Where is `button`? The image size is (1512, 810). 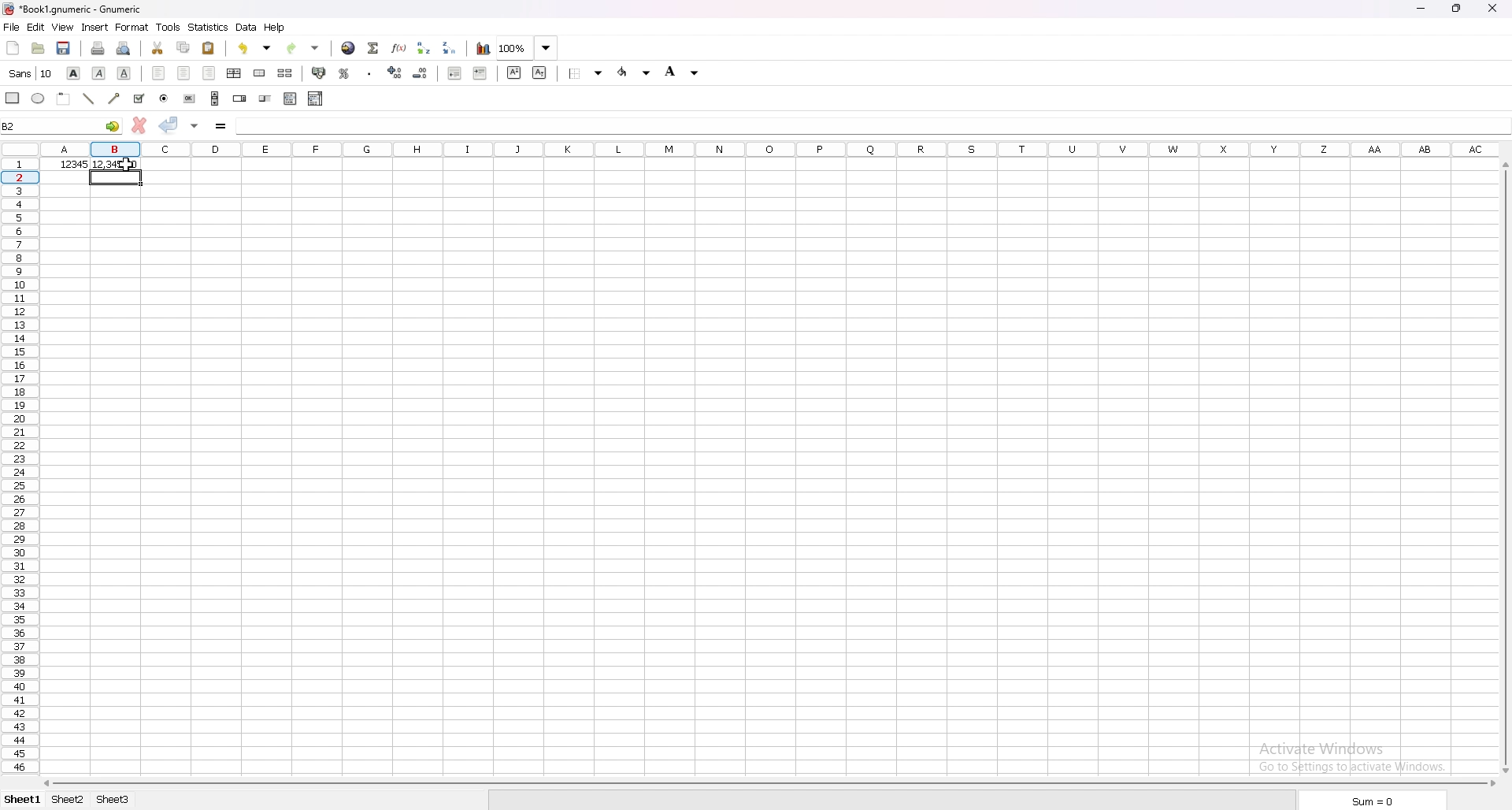 button is located at coordinates (189, 98).